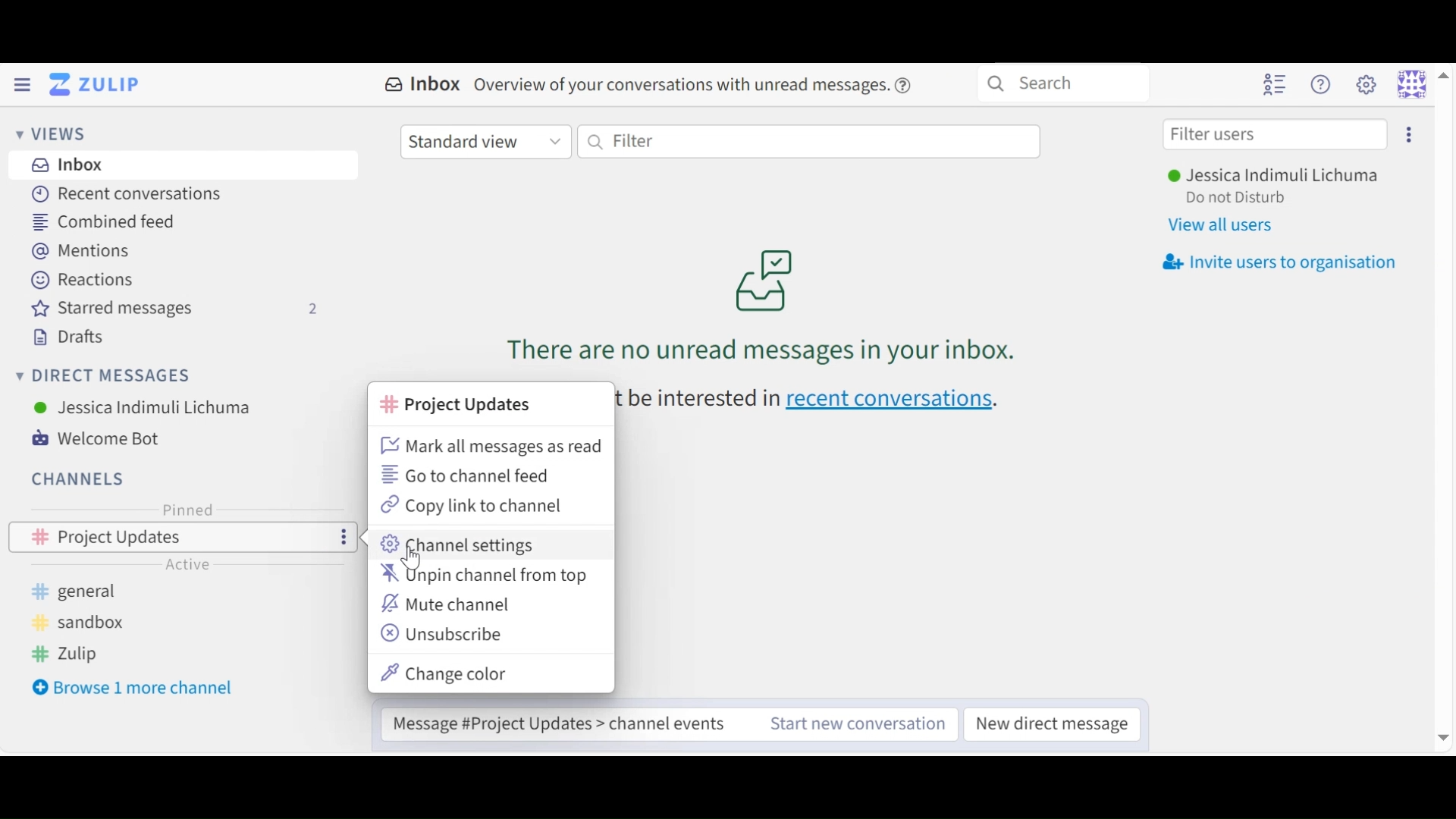  Describe the element at coordinates (858, 725) in the screenshot. I see `Start new conversation` at that location.